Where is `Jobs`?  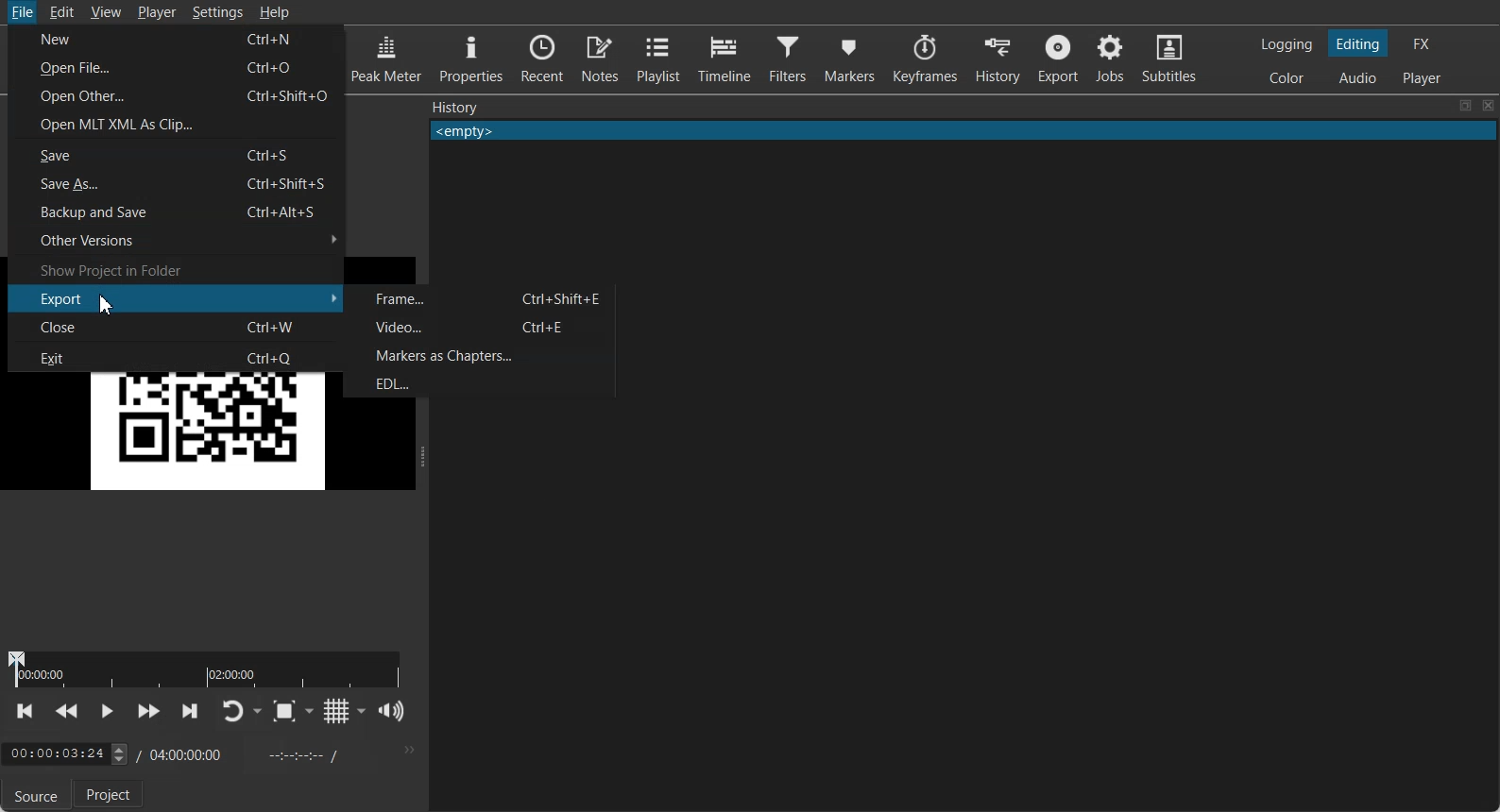 Jobs is located at coordinates (1109, 58).